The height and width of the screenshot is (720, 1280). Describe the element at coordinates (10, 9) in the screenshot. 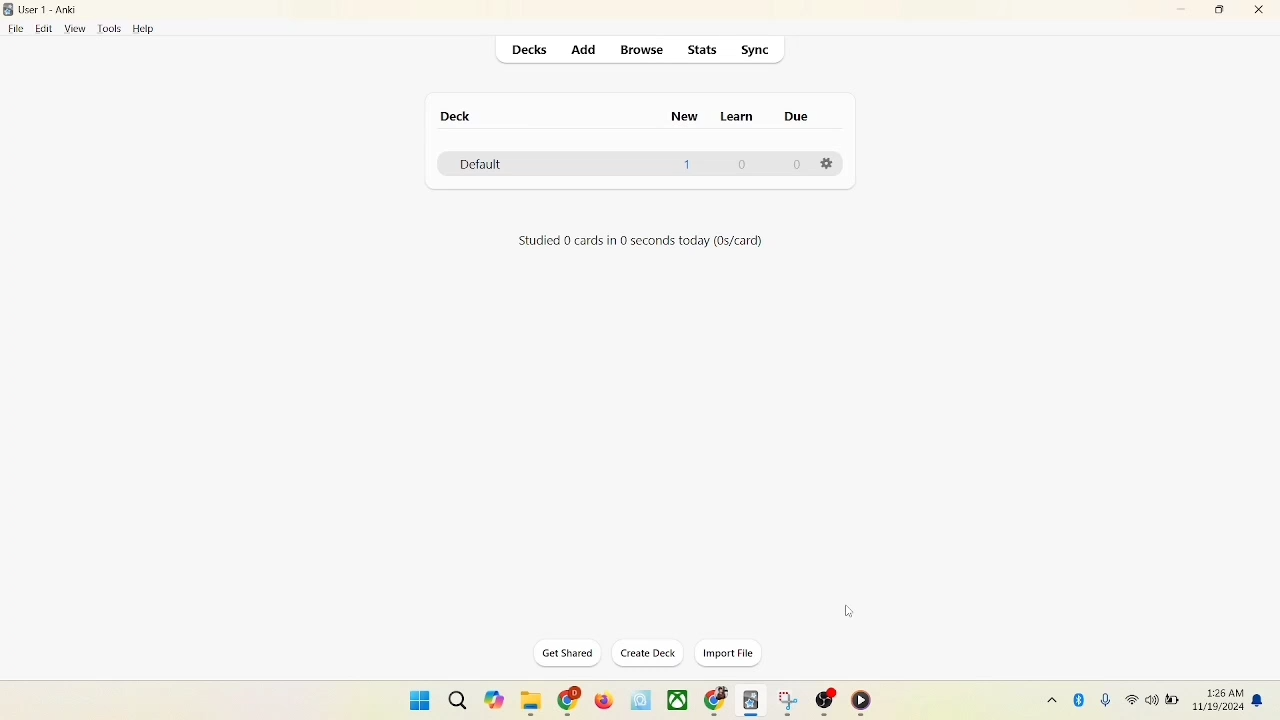

I see `logo` at that location.